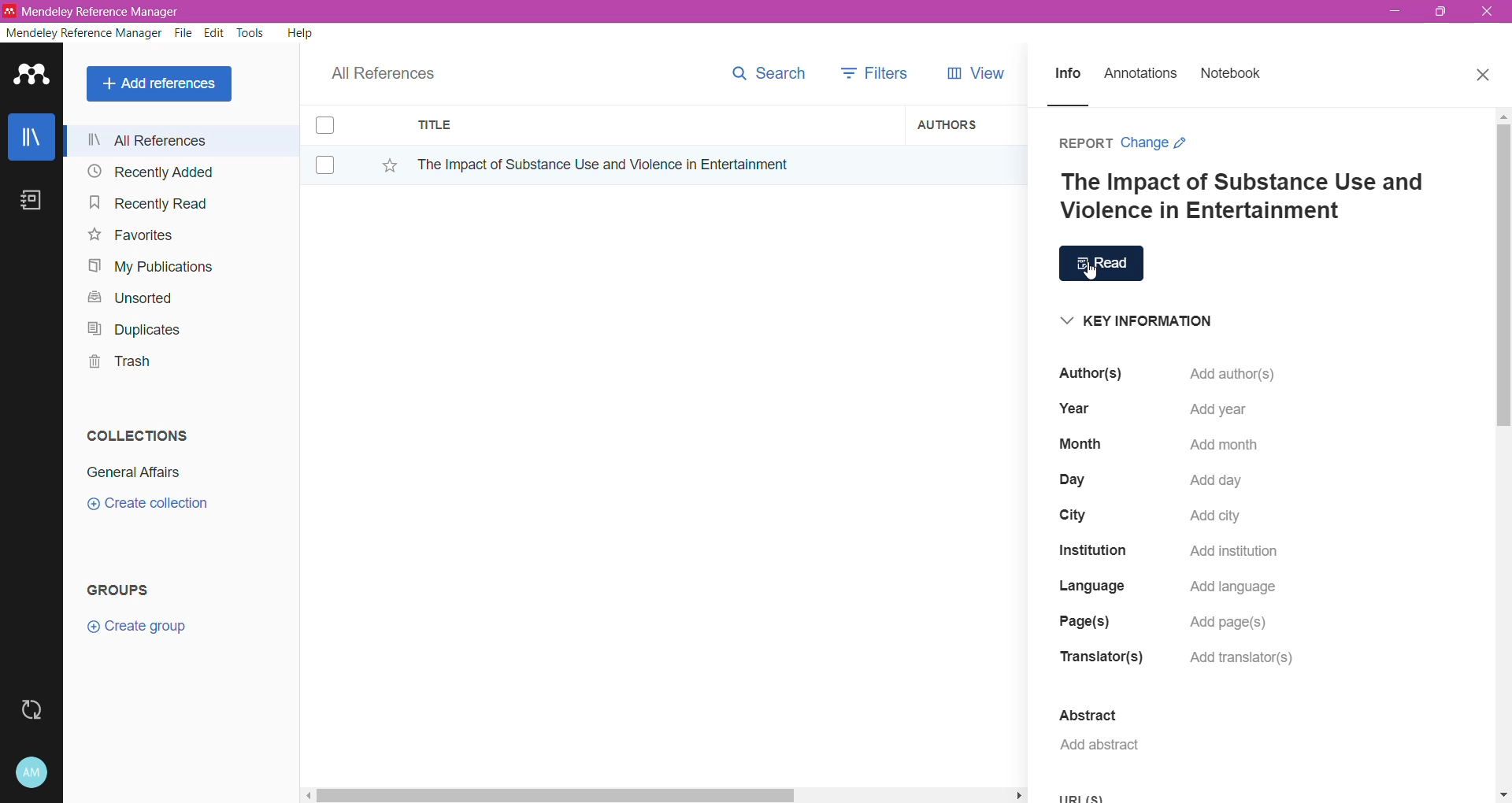 This screenshot has width=1512, height=803. What do you see at coordinates (1079, 442) in the screenshot?
I see `Month` at bounding box center [1079, 442].